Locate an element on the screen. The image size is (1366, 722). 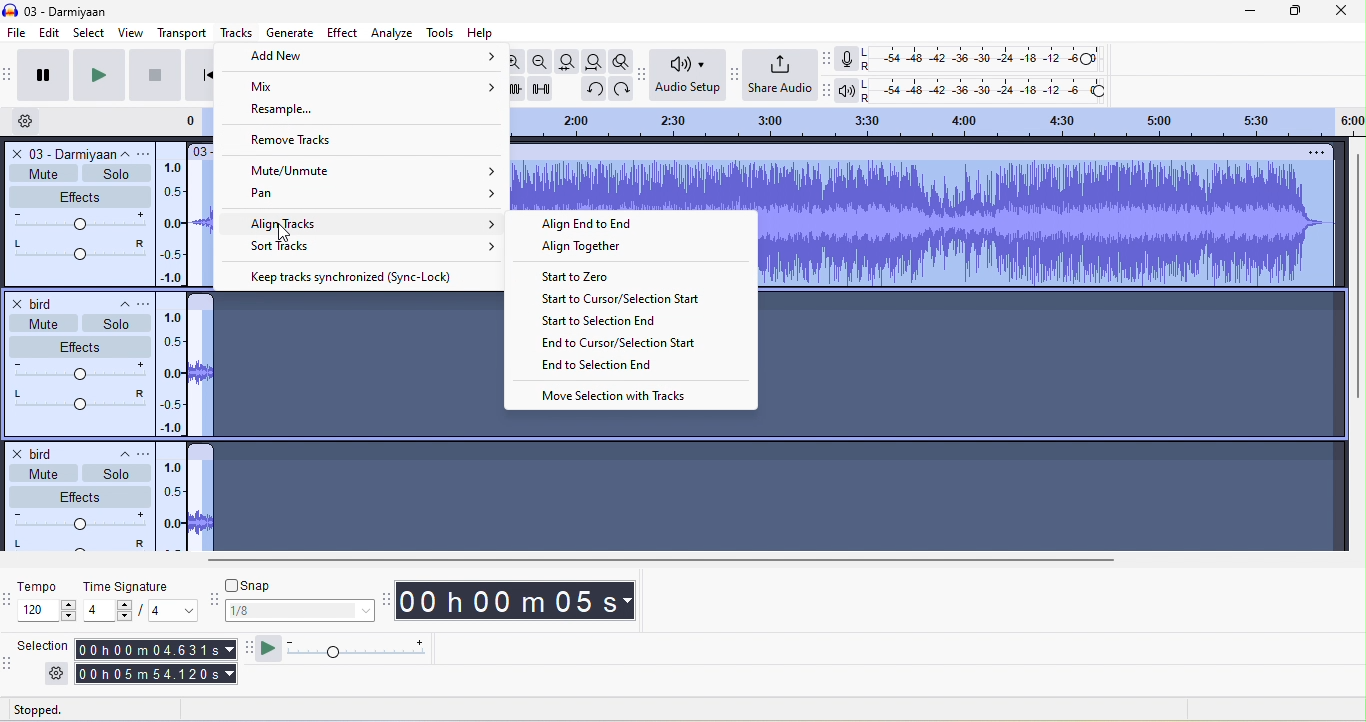
volume is located at coordinates (77, 373).